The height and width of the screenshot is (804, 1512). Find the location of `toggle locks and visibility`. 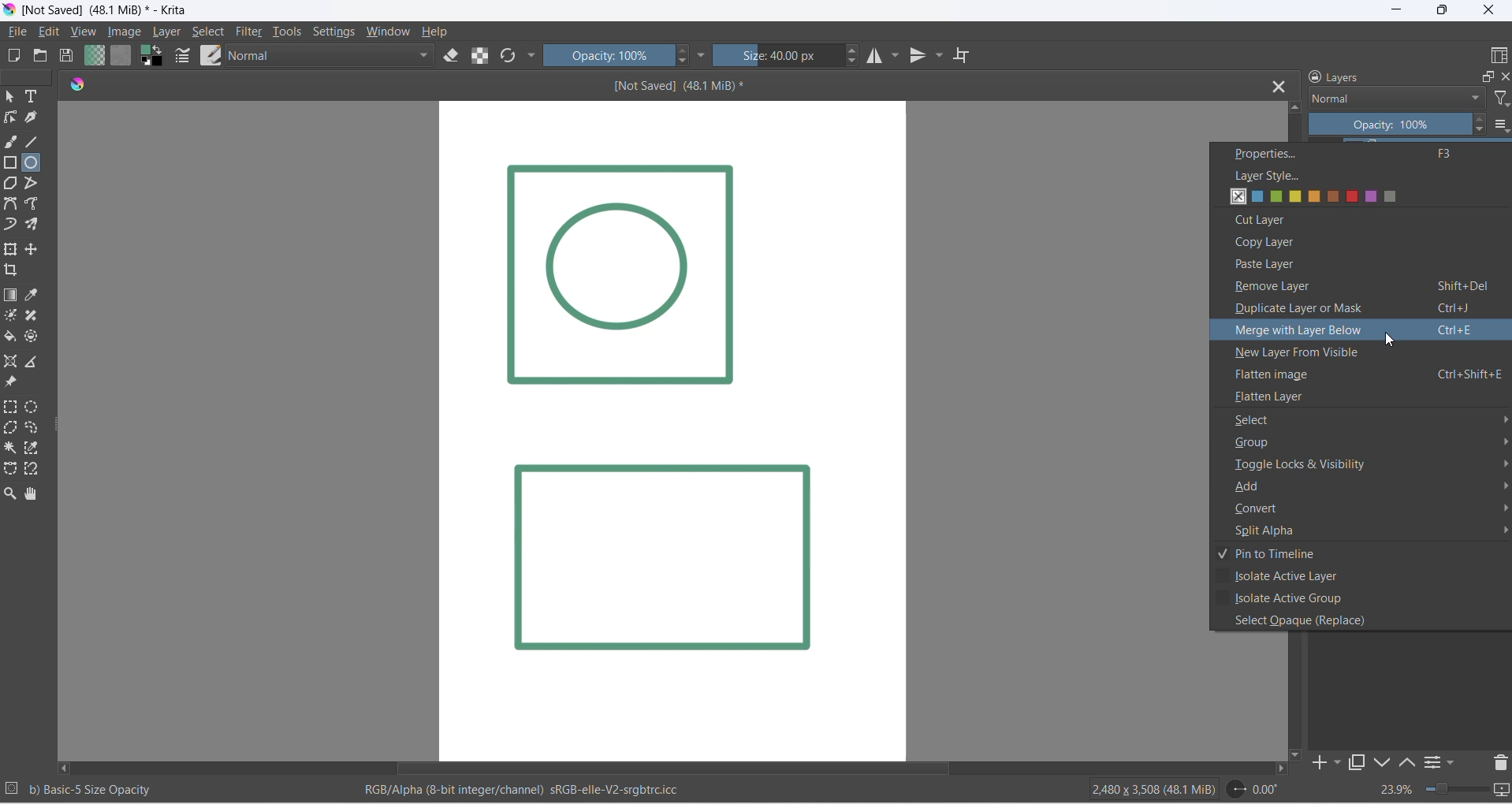

toggle locks and visibility is located at coordinates (1364, 465).